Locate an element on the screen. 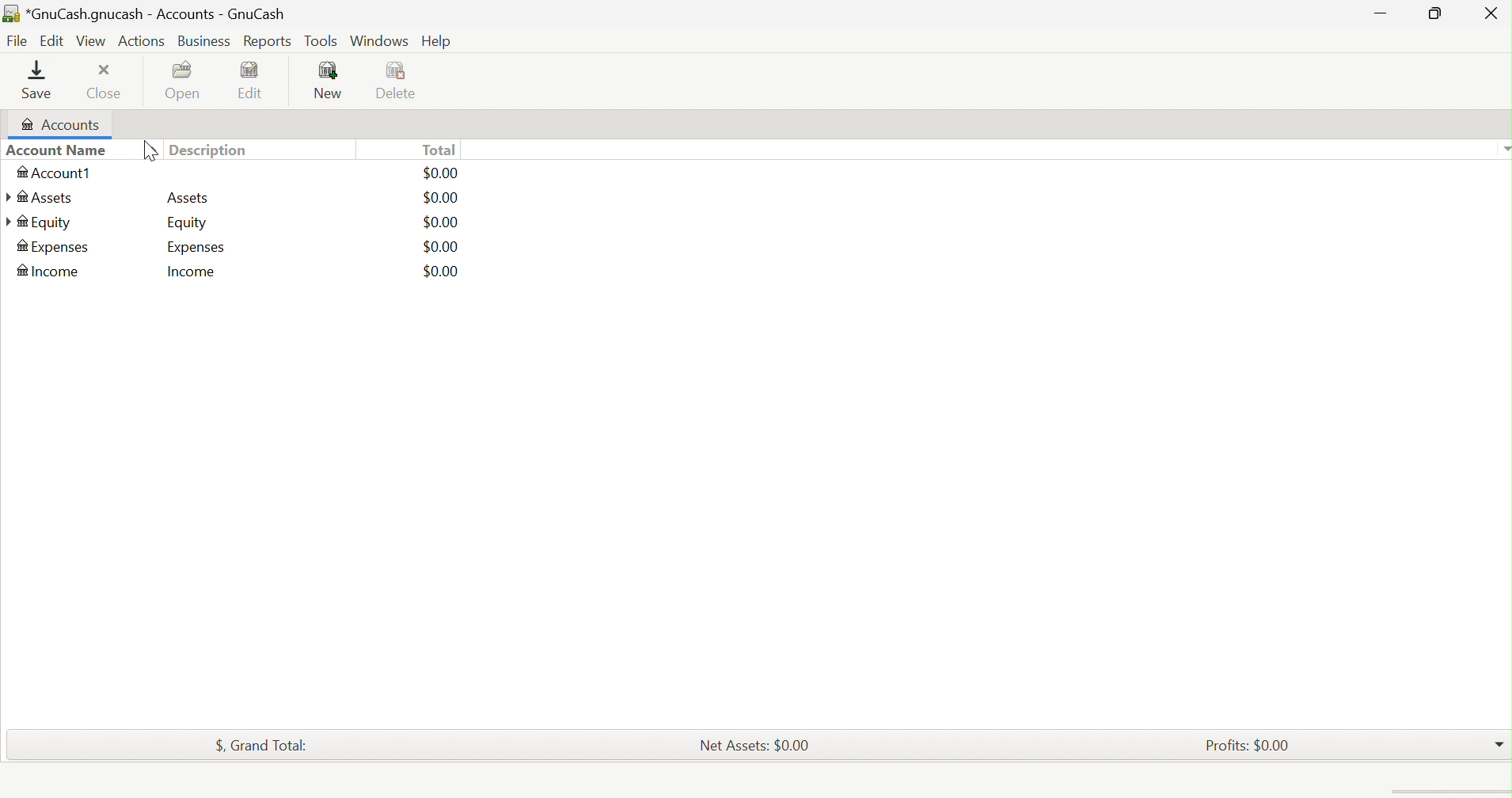 Image resolution: width=1512 pixels, height=798 pixels. Equity is located at coordinates (187, 199).